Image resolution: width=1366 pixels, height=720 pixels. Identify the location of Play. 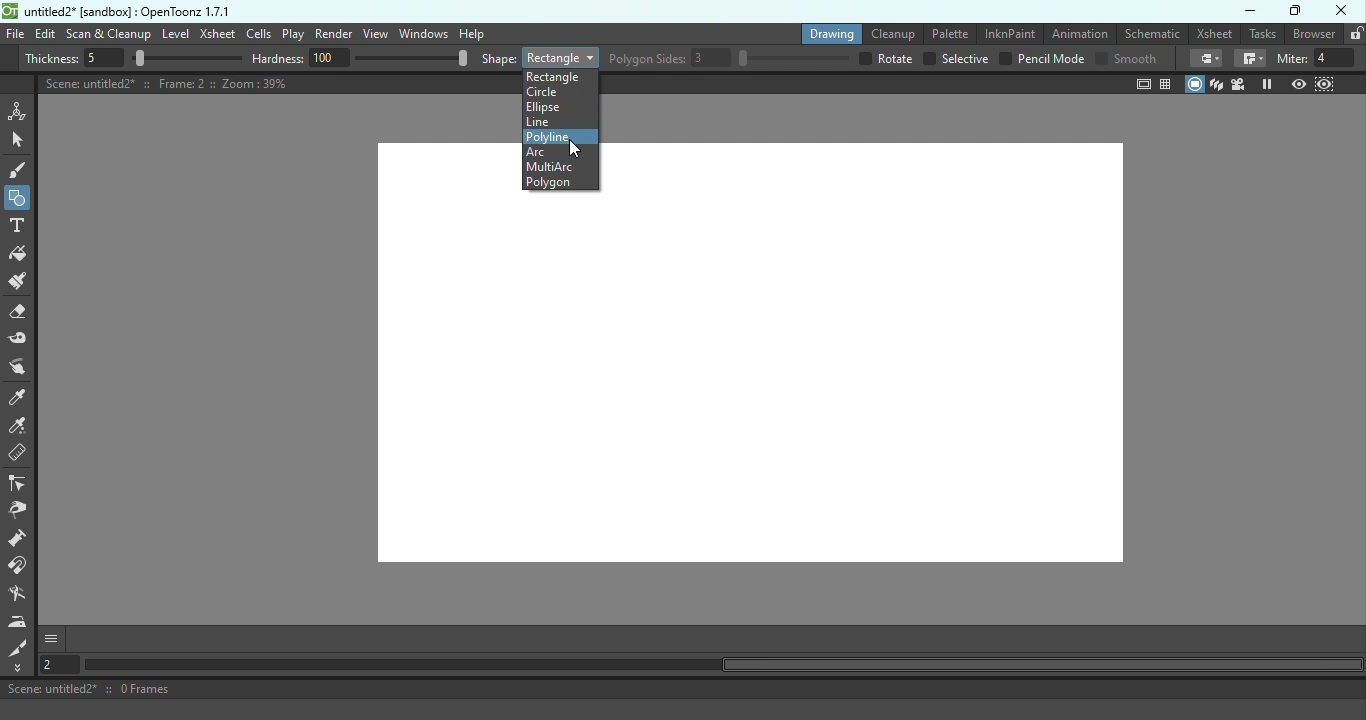
(293, 34).